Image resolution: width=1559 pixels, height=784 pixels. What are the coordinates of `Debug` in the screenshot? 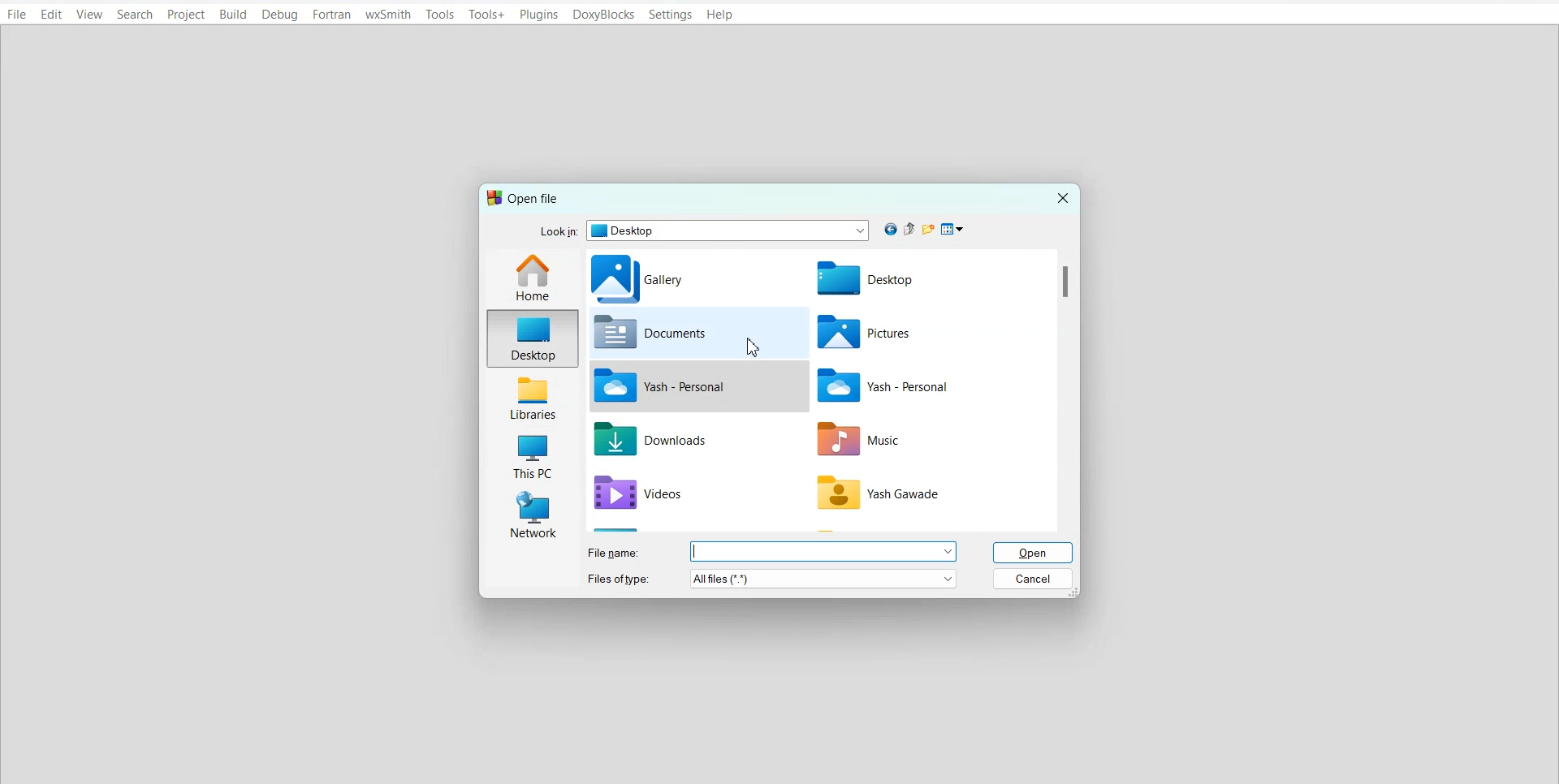 It's located at (279, 15).